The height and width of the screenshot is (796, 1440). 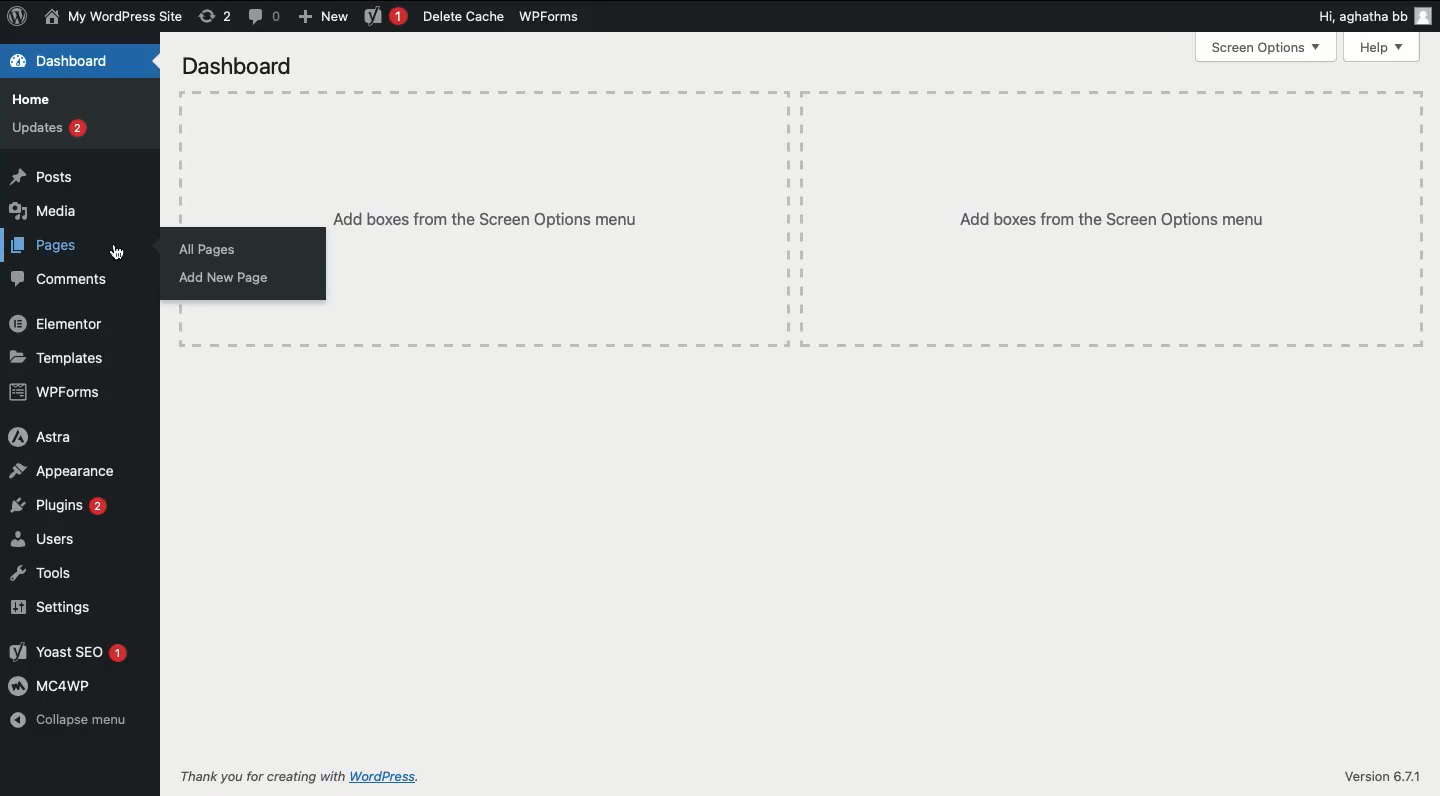 I want to click on Add boxes from the screen options menu, so click(x=561, y=219).